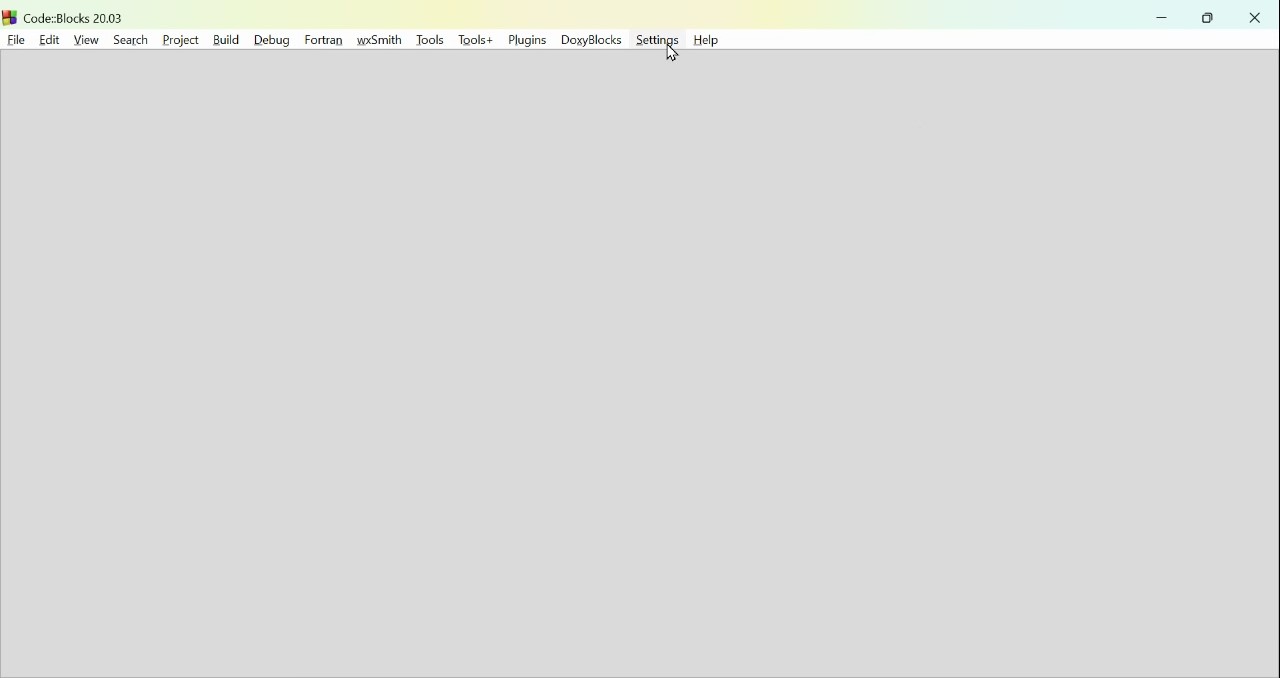  Describe the element at coordinates (1162, 17) in the screenshot. I see `minimise` at that location.